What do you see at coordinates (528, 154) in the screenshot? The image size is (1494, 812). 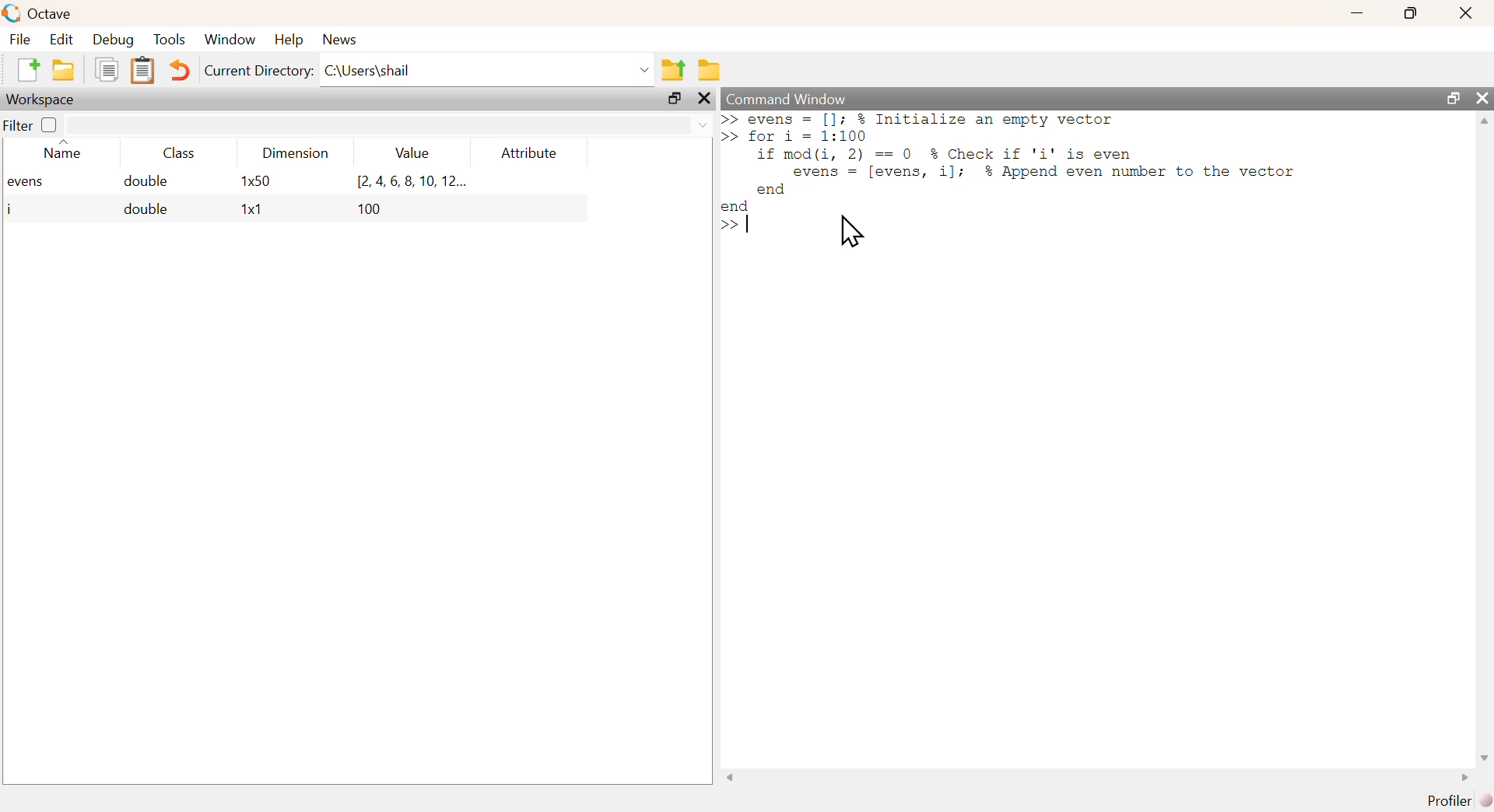 I see `attribute` at bounding box center [528, 154].